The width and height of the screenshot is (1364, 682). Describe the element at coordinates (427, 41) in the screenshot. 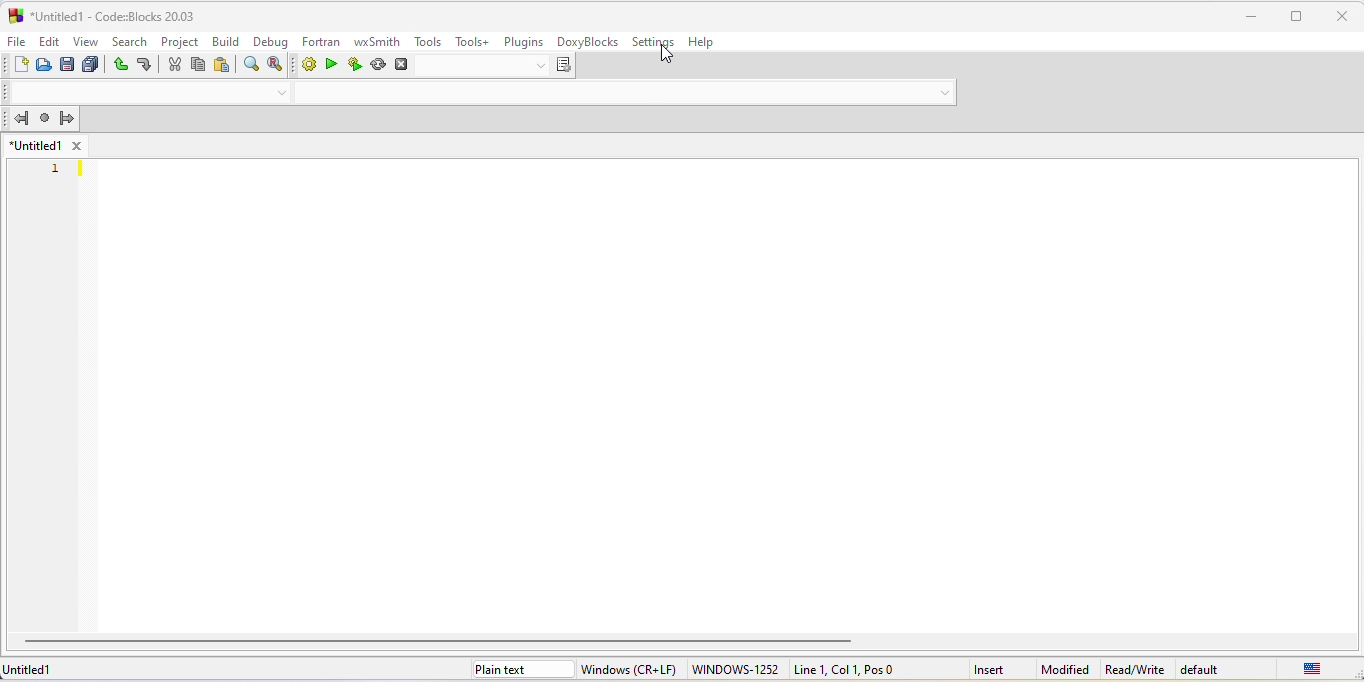

I see `tools` at that location.